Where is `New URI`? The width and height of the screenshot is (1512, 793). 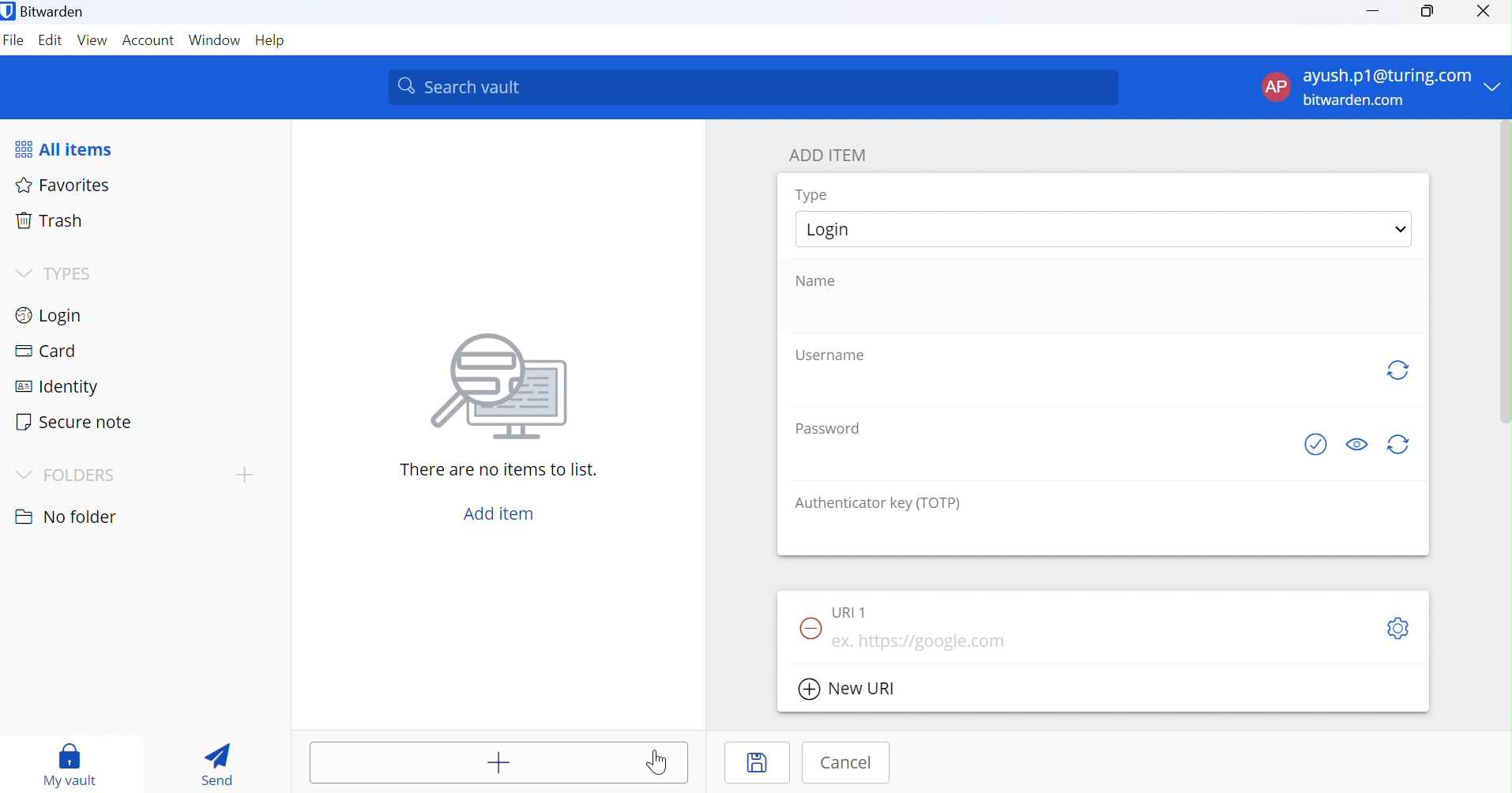
New URI is located at coordinates (851, 690).